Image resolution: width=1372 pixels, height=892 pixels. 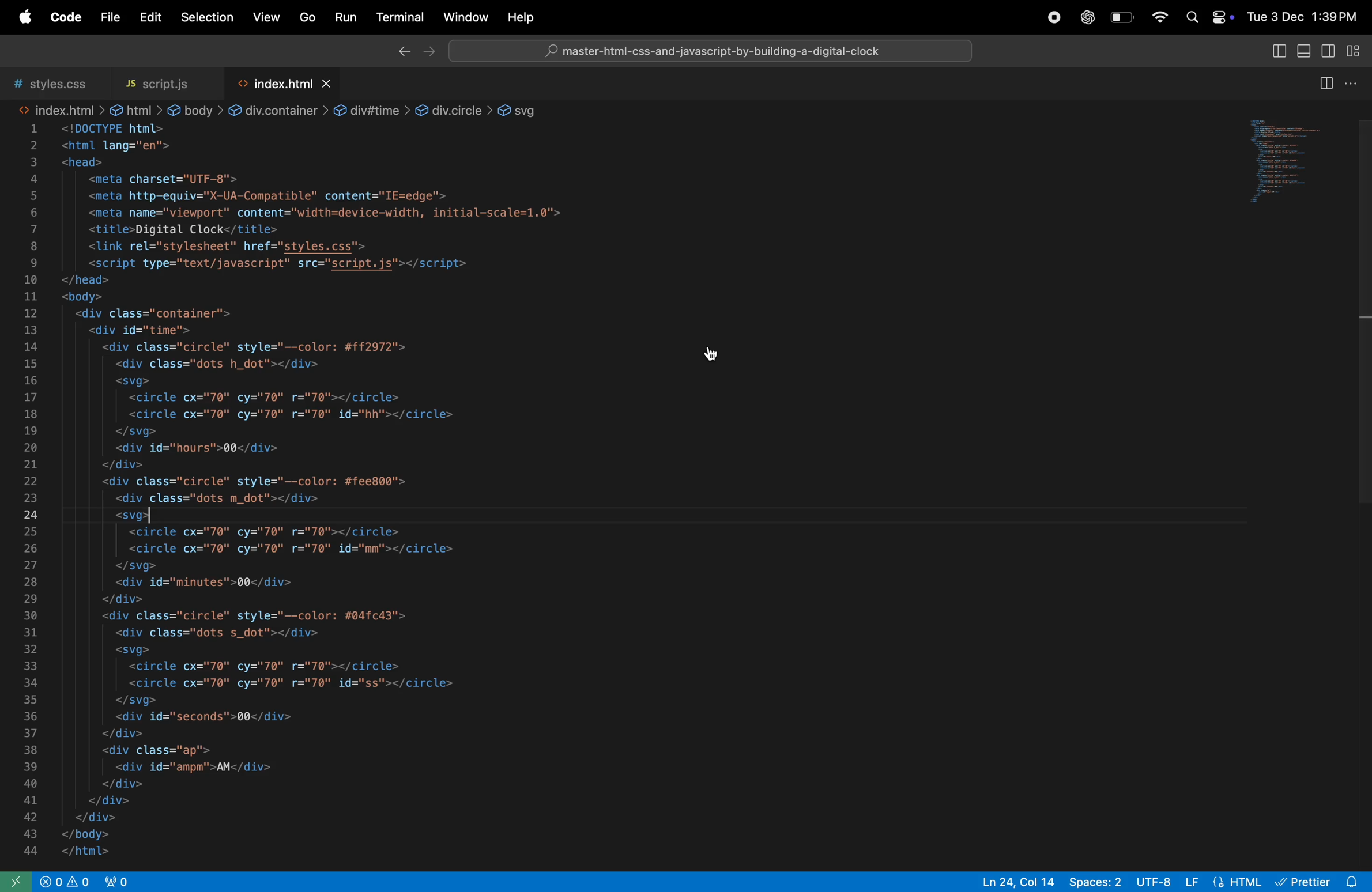 I want to click on cursor, so click(x=710, y=354).